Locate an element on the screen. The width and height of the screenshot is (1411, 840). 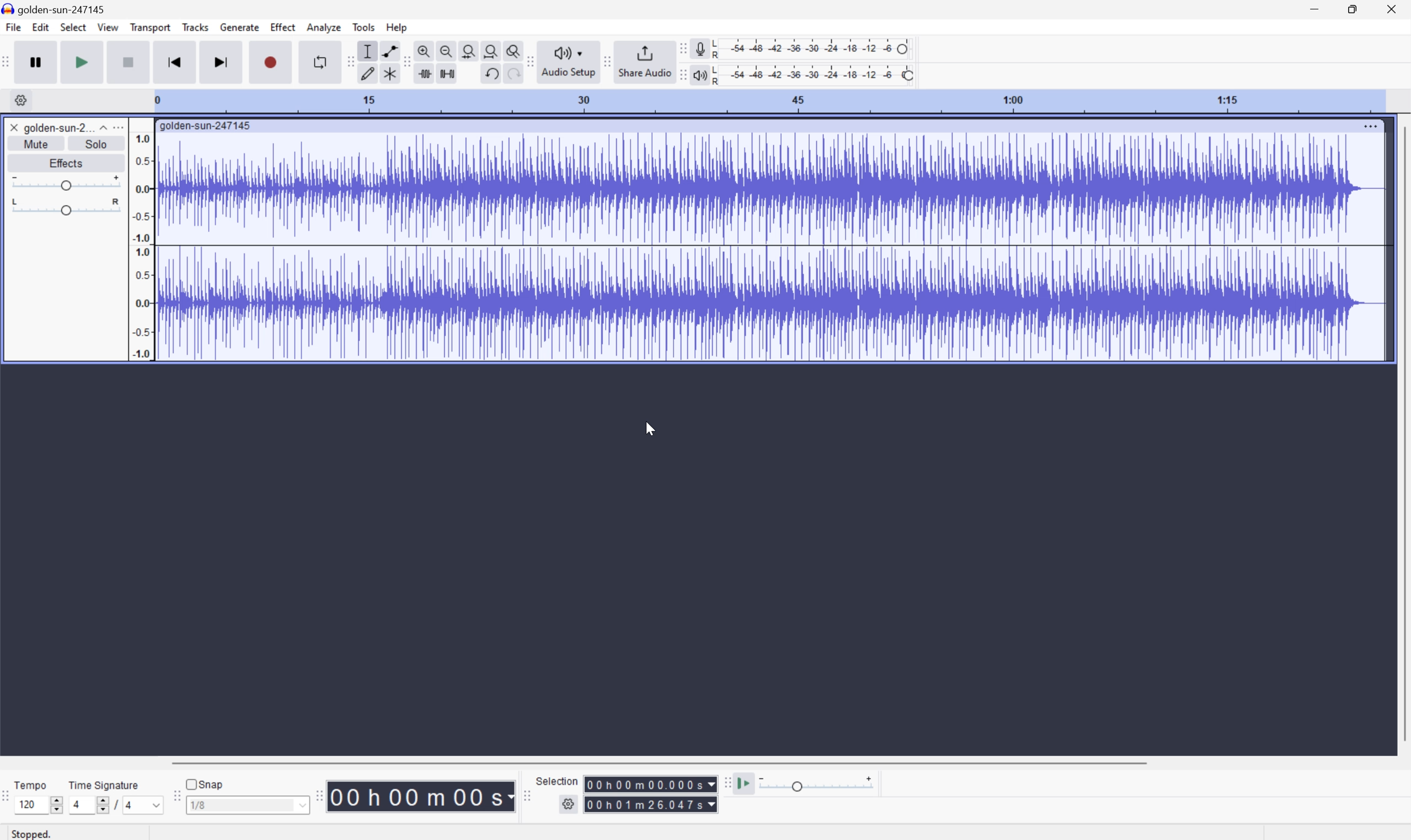
More is located at coordinates (117, 127).